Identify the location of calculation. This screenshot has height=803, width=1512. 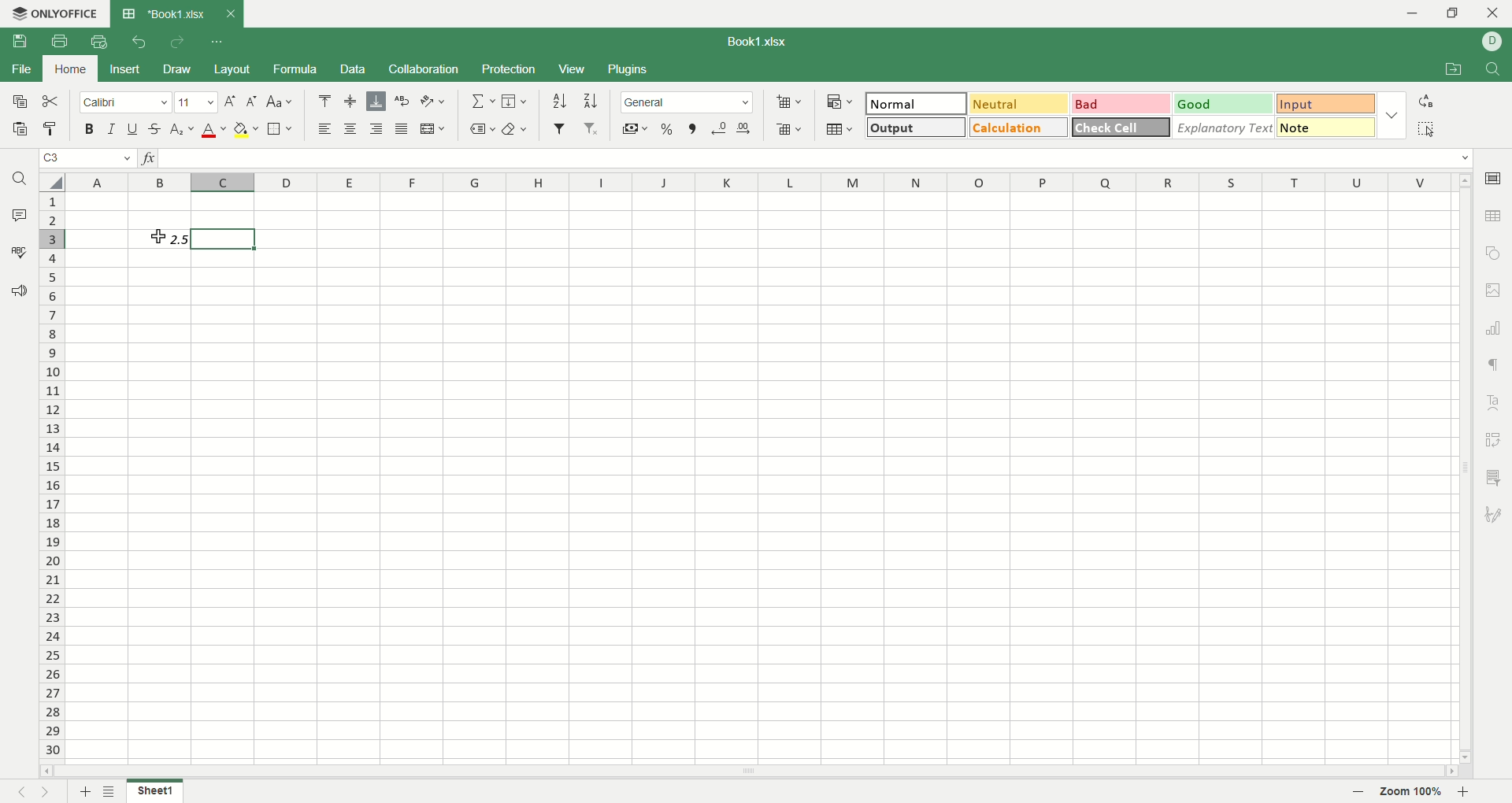
(1020, 127).